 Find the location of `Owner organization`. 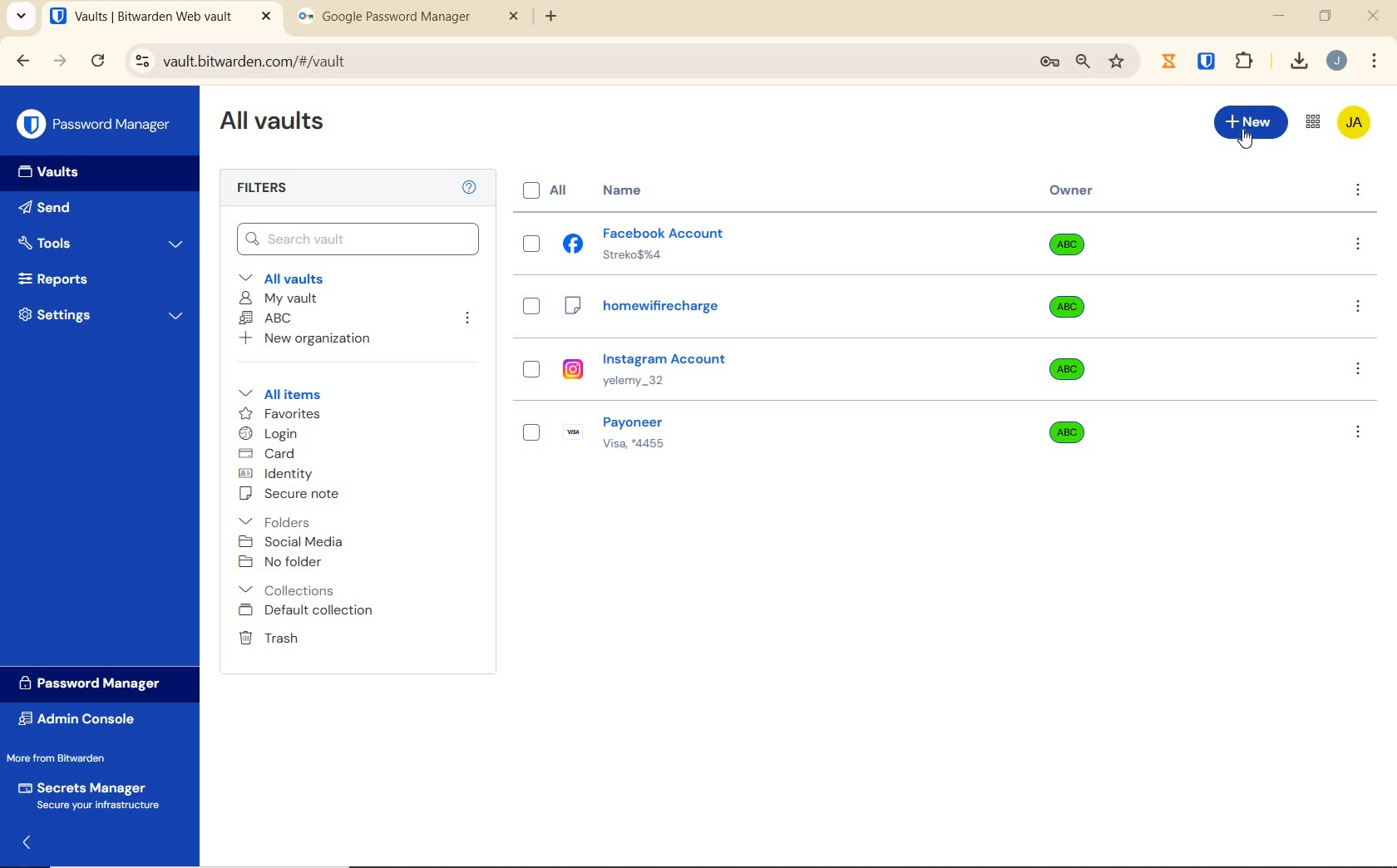

Owner organization is located at coordinates (1073, 251).